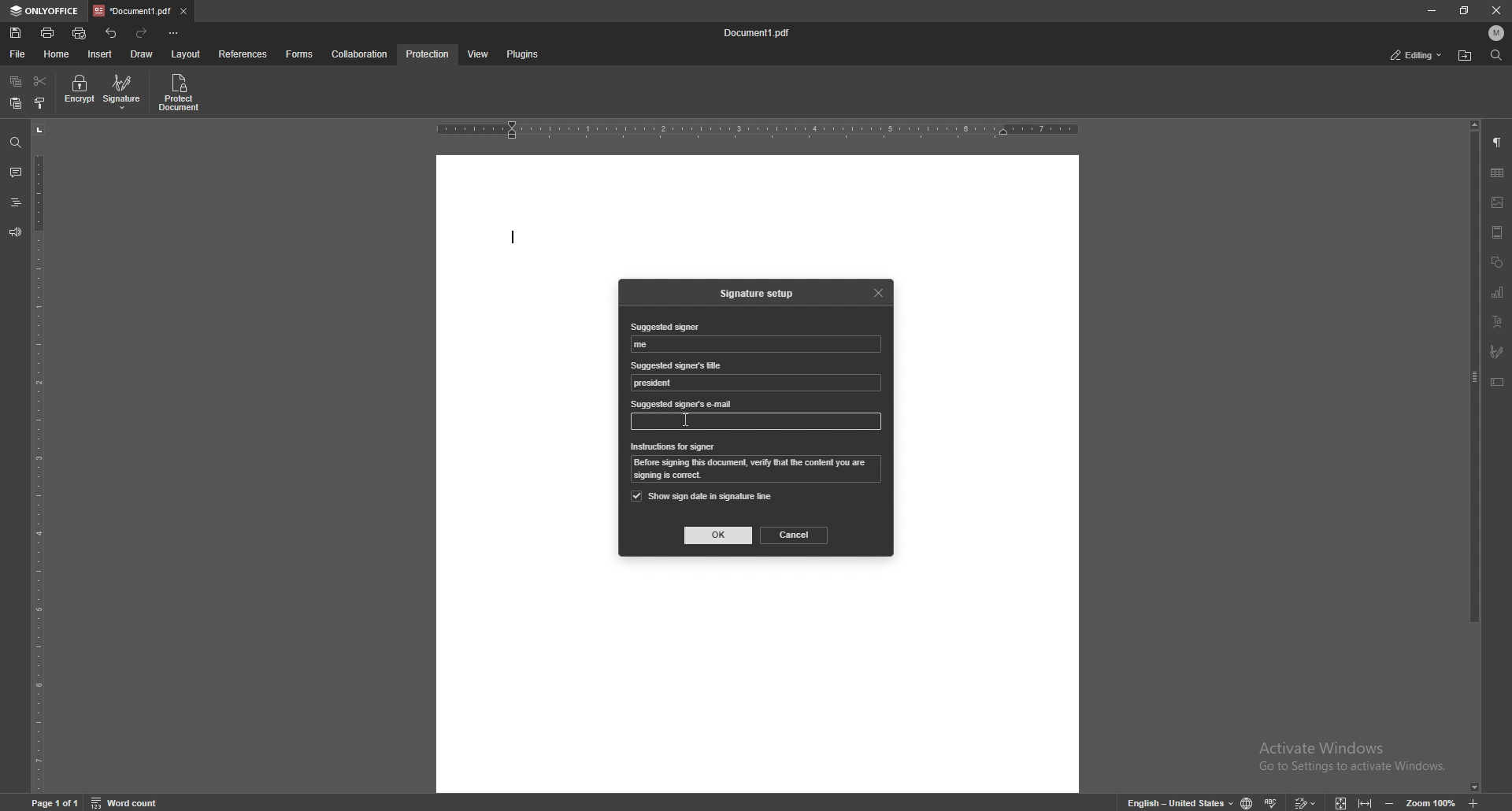  I want to click on spell check, so click(1273, 799).